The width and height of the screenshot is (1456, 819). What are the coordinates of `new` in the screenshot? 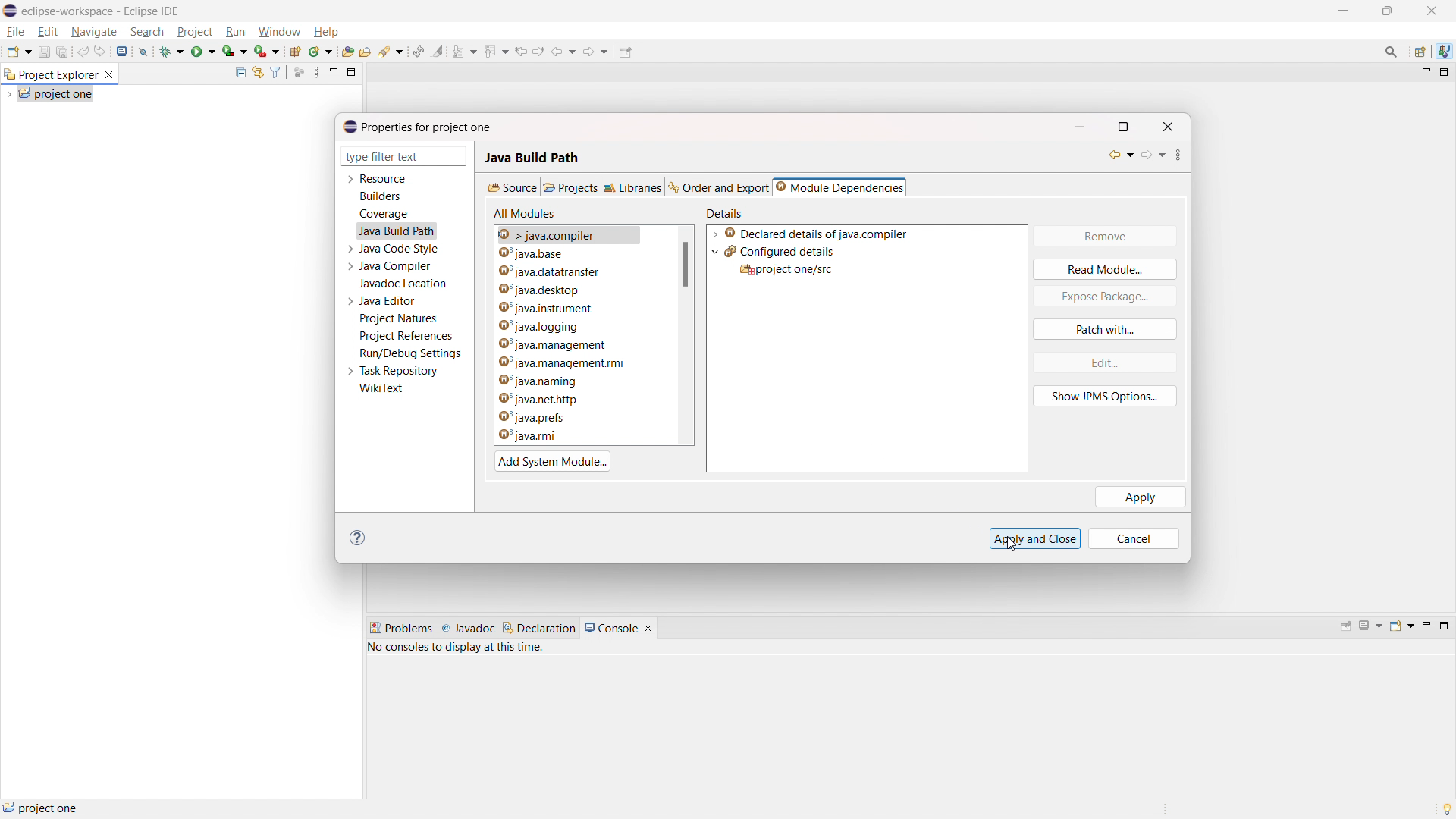 It's located at (18, 51).